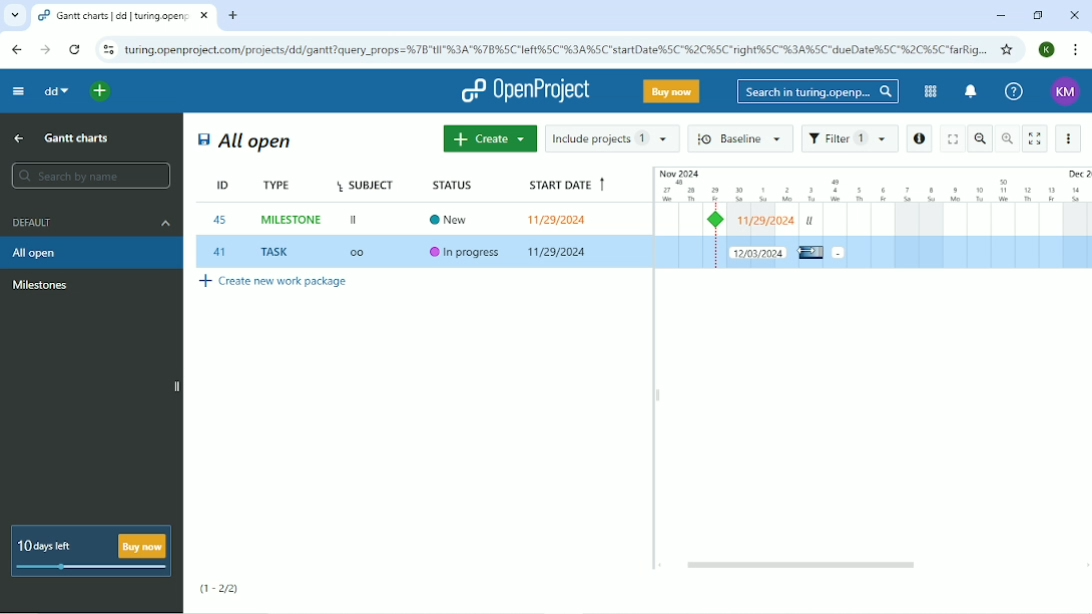 This screenshot has width=1092, height=614. I want to click on 11/29/2024, so click(559, 253).